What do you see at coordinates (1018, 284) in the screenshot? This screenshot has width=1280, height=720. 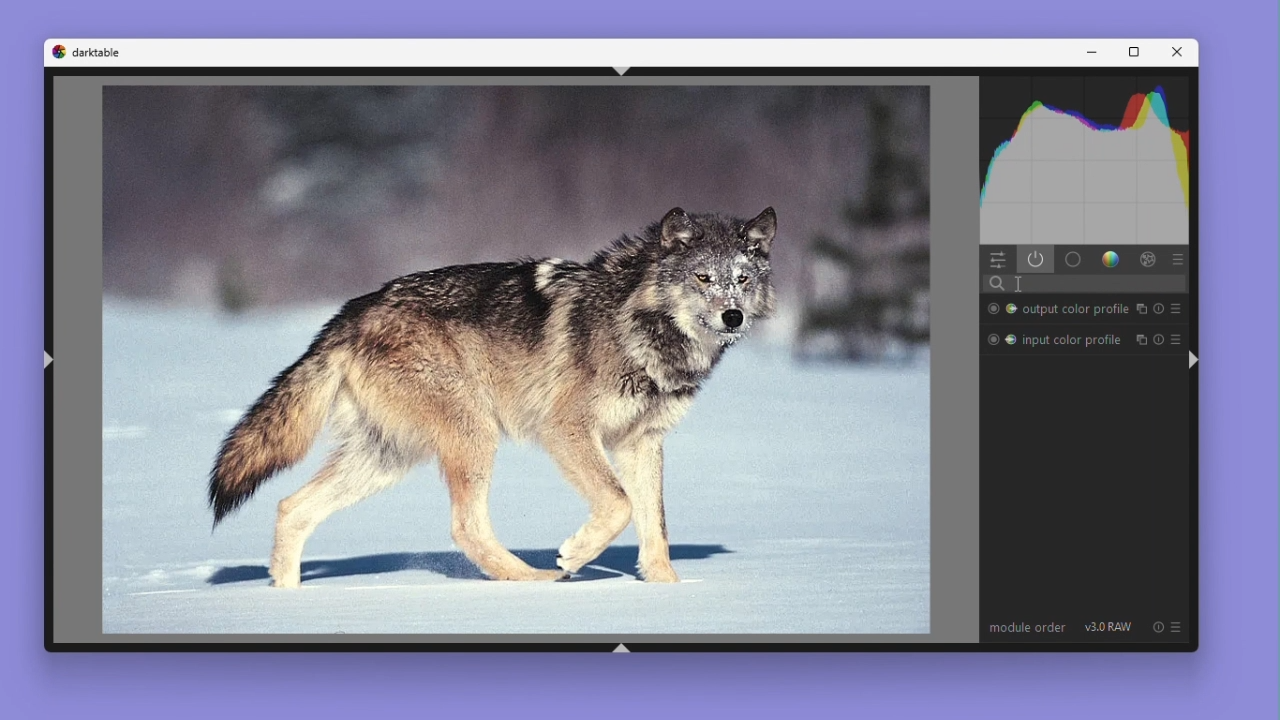 I see `Cursor` at bounding box center [1018, 284].